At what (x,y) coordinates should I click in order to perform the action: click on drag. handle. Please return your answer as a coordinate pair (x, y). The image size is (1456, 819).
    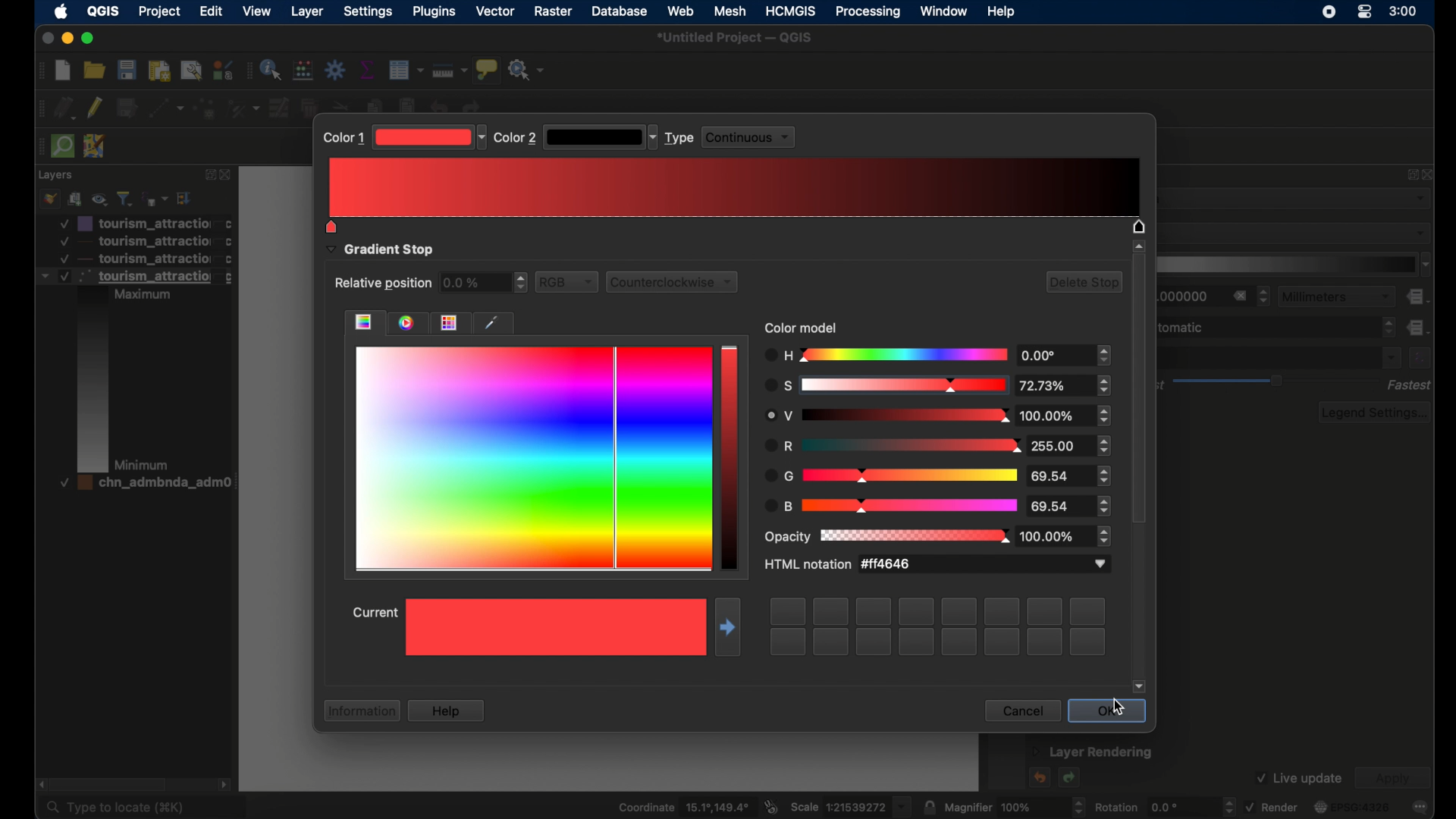
    Looking at the image, I should click on (246, 71).